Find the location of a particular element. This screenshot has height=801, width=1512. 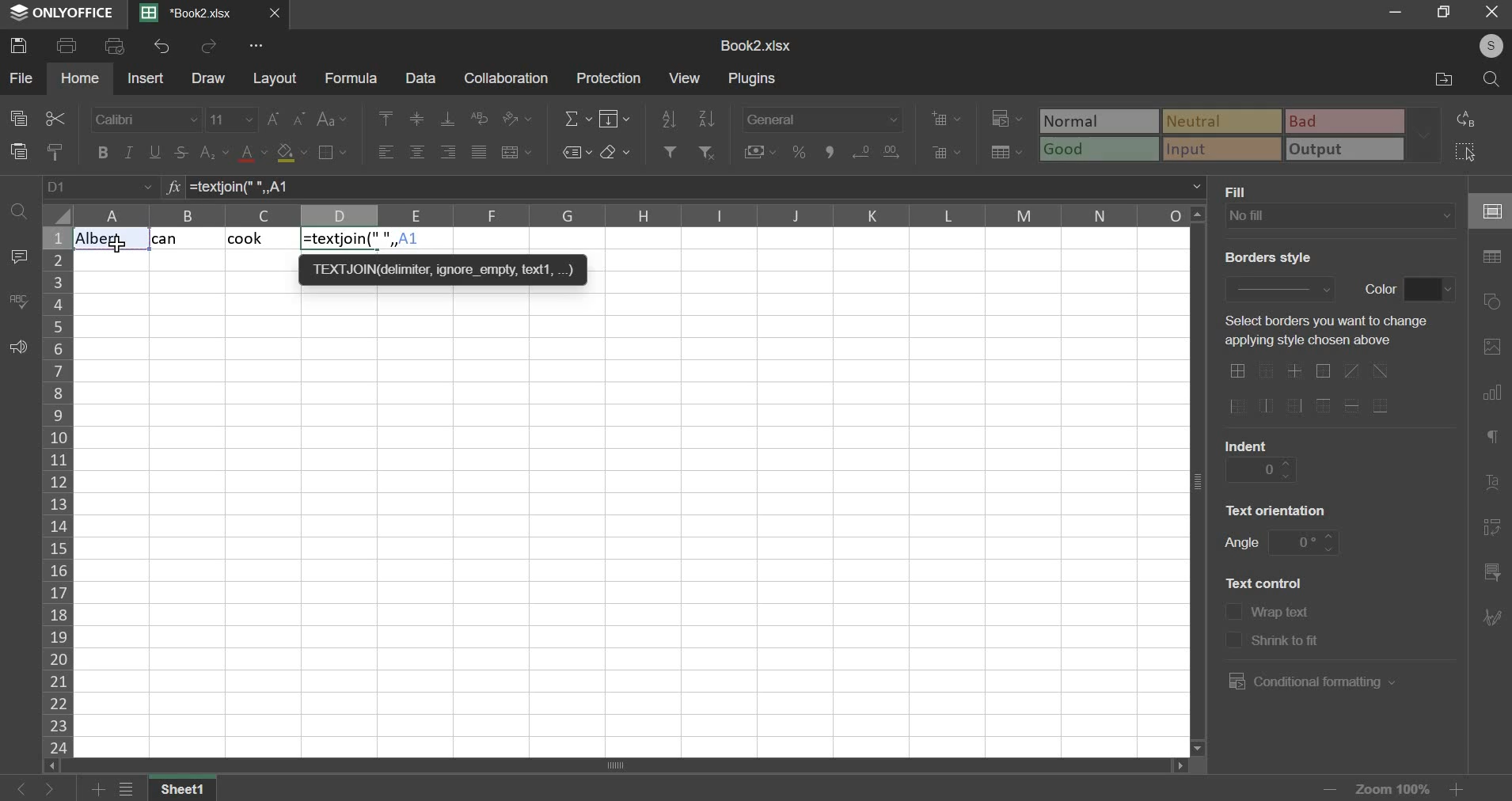

table is located at coordinates (1492, 257).